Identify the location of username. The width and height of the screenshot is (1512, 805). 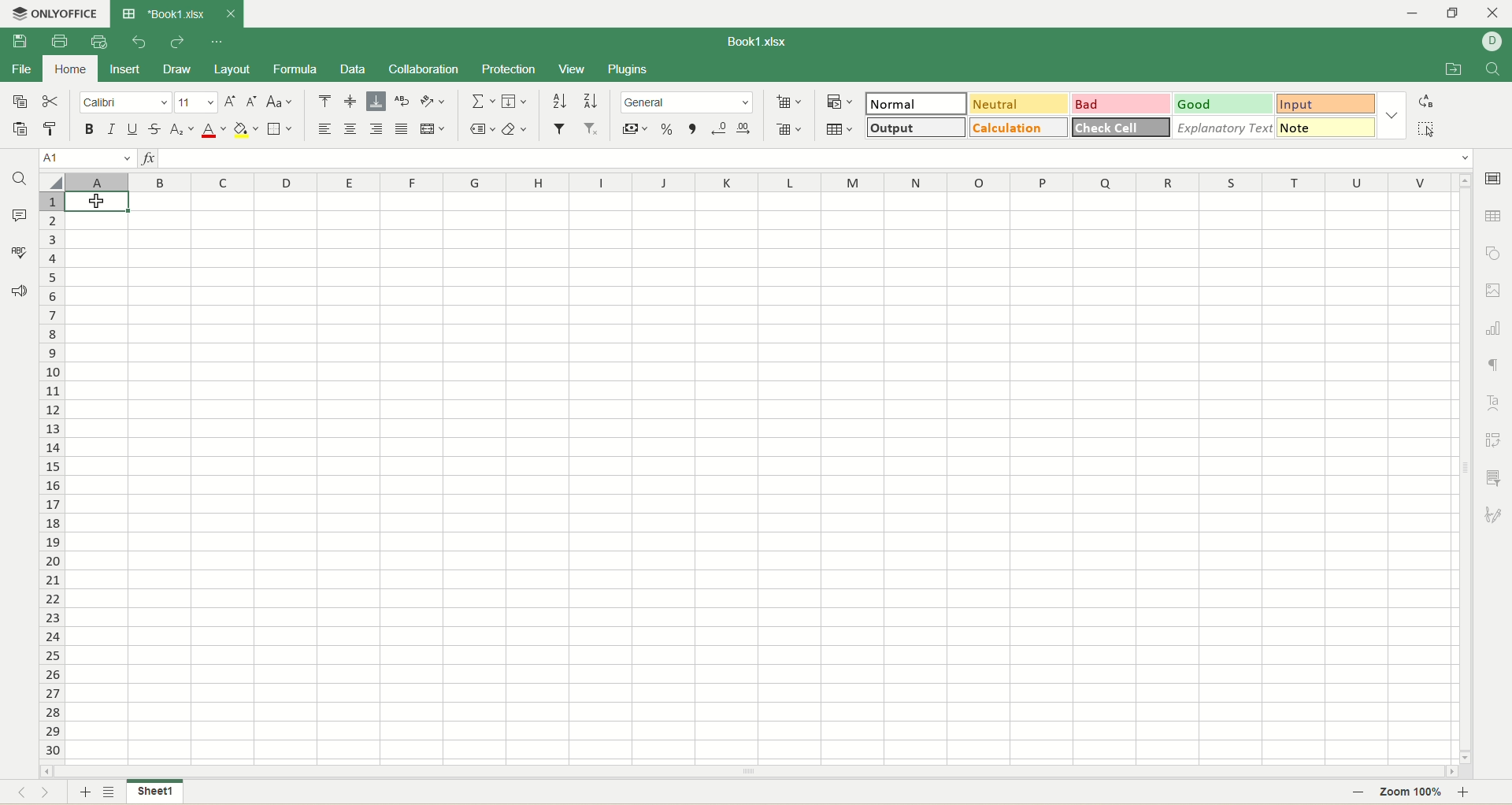
(1492, 42).